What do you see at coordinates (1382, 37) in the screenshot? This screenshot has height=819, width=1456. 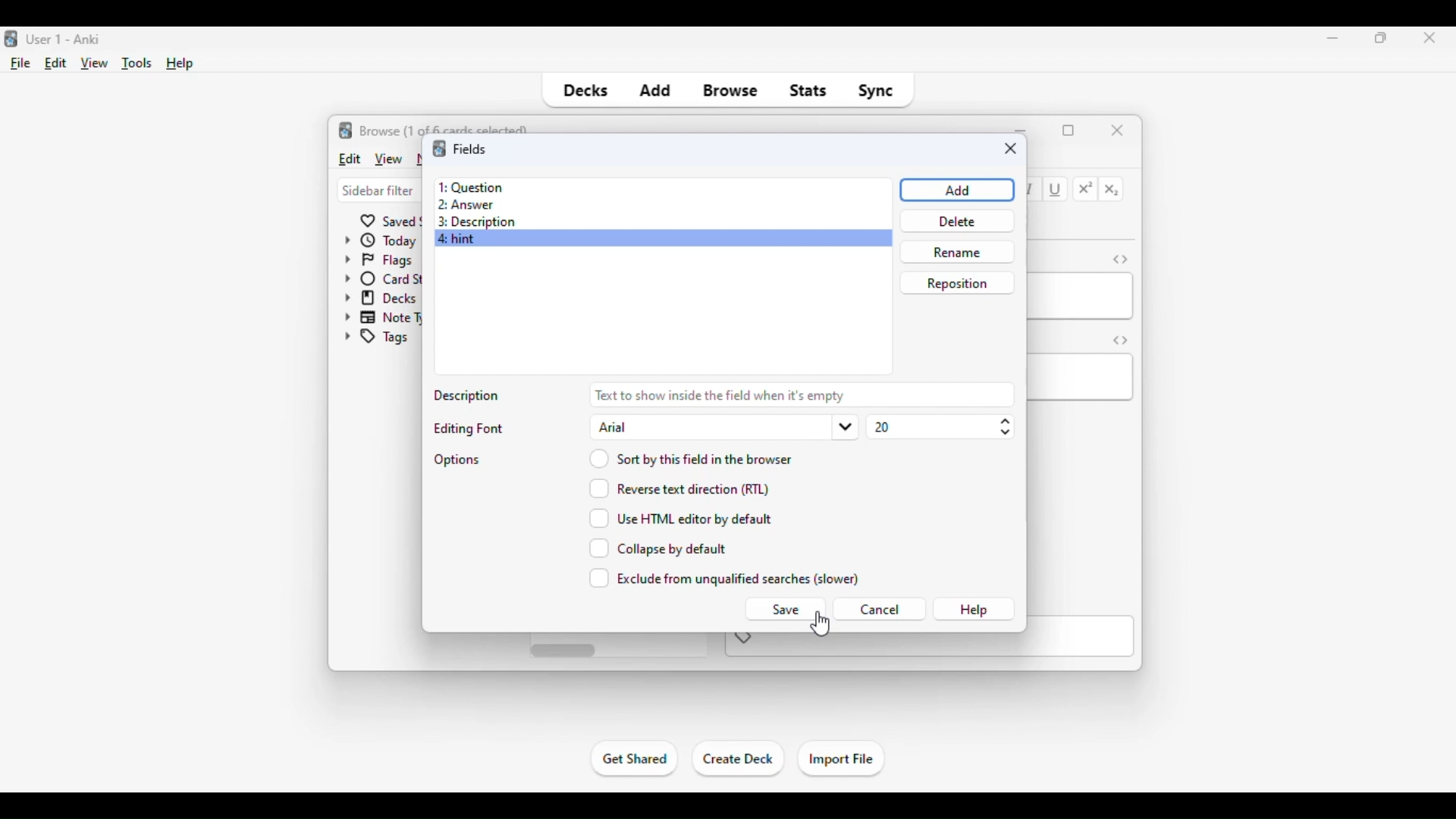 I see `maximize` at bounding box center [1382, 37].